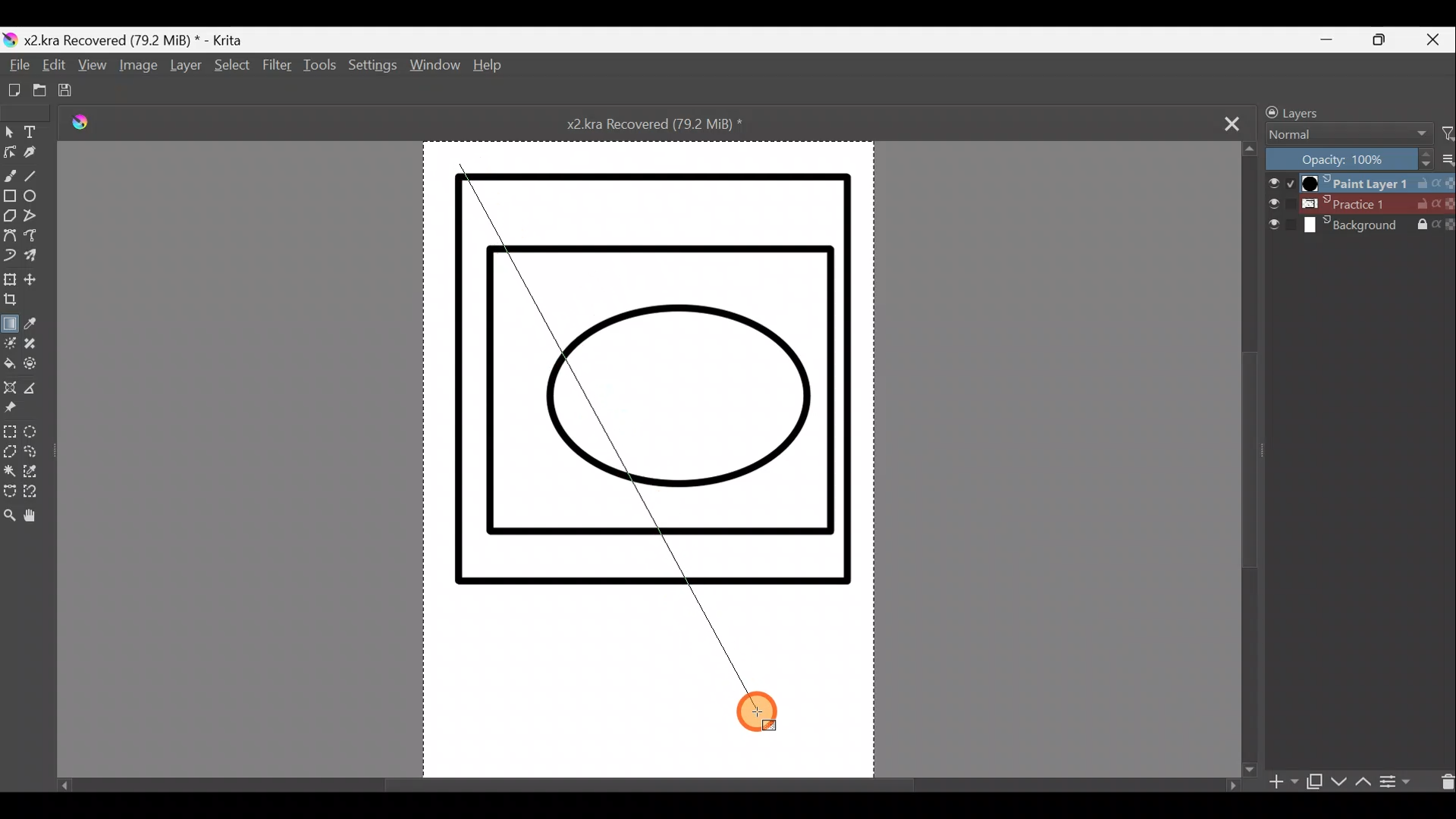  I want to click on Tools, so click(322, 69).